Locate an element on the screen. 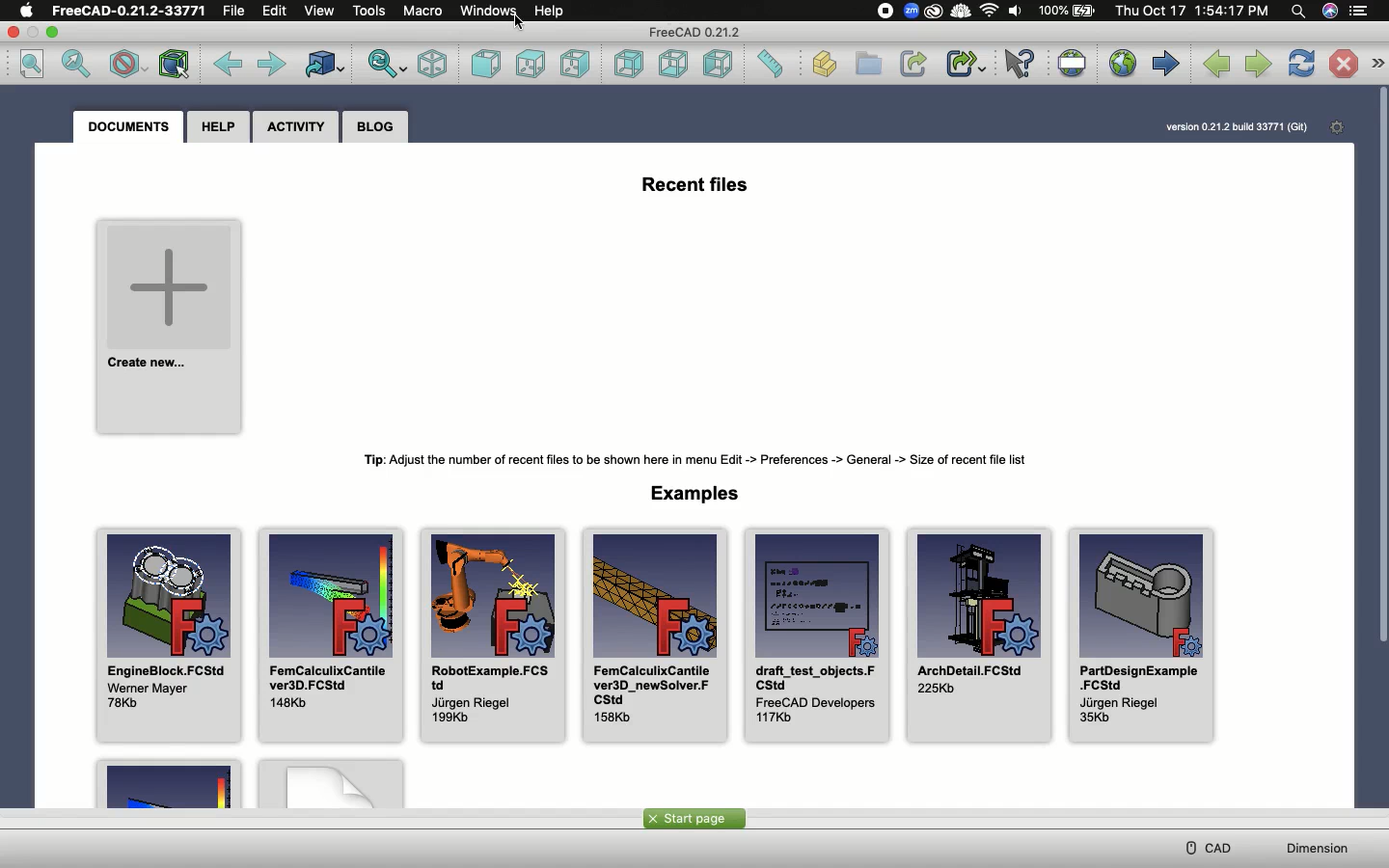  Left is located at coordinates (722, 64).